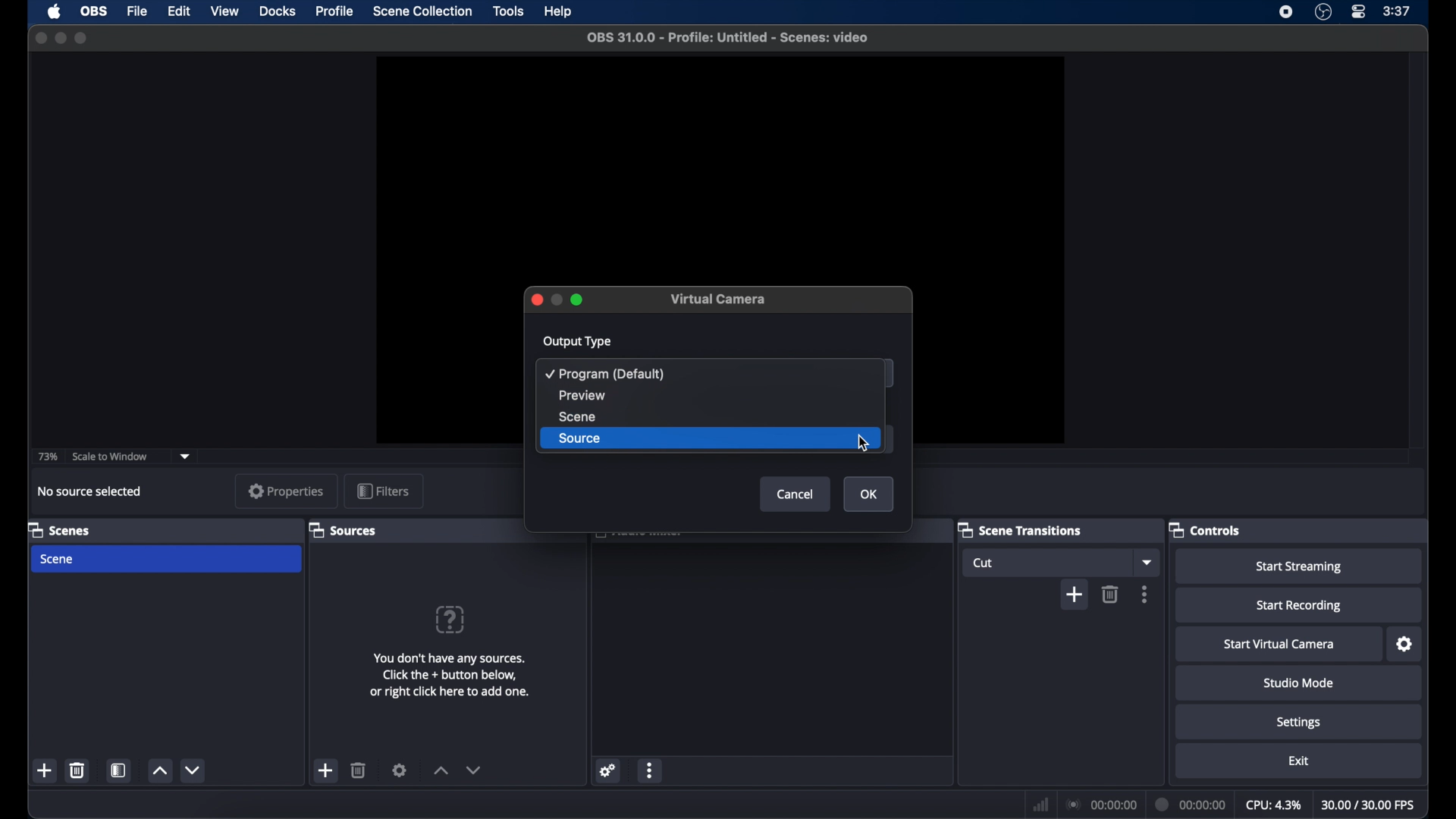 Image resolution: width=1456 pixels, height=819 pixels. I want to click on minimize, so click(60, 39).